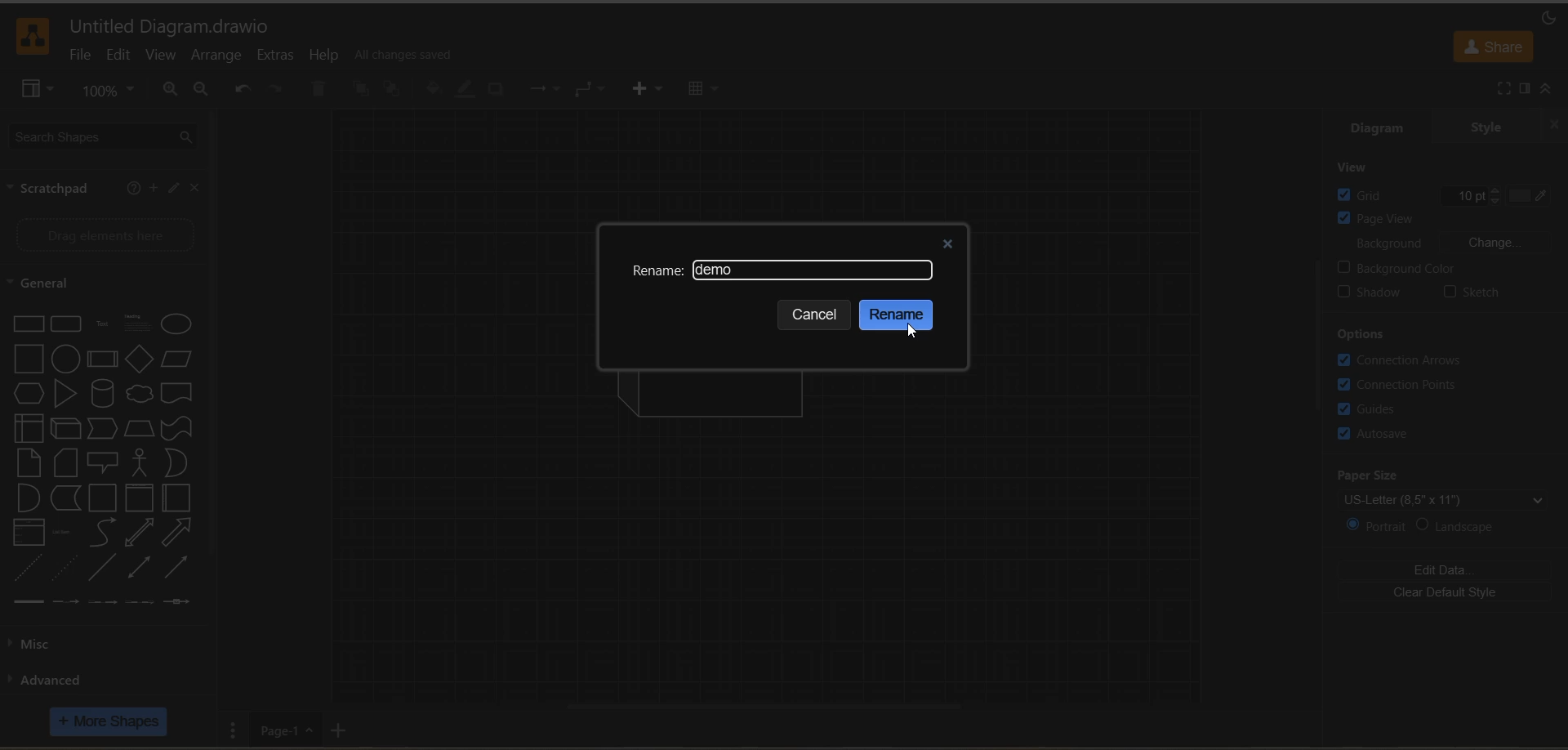 This screenshot has height=750, width=1568. Describe the element at coordinates (362, 91) in the screenshot. I see `to front` at that location.